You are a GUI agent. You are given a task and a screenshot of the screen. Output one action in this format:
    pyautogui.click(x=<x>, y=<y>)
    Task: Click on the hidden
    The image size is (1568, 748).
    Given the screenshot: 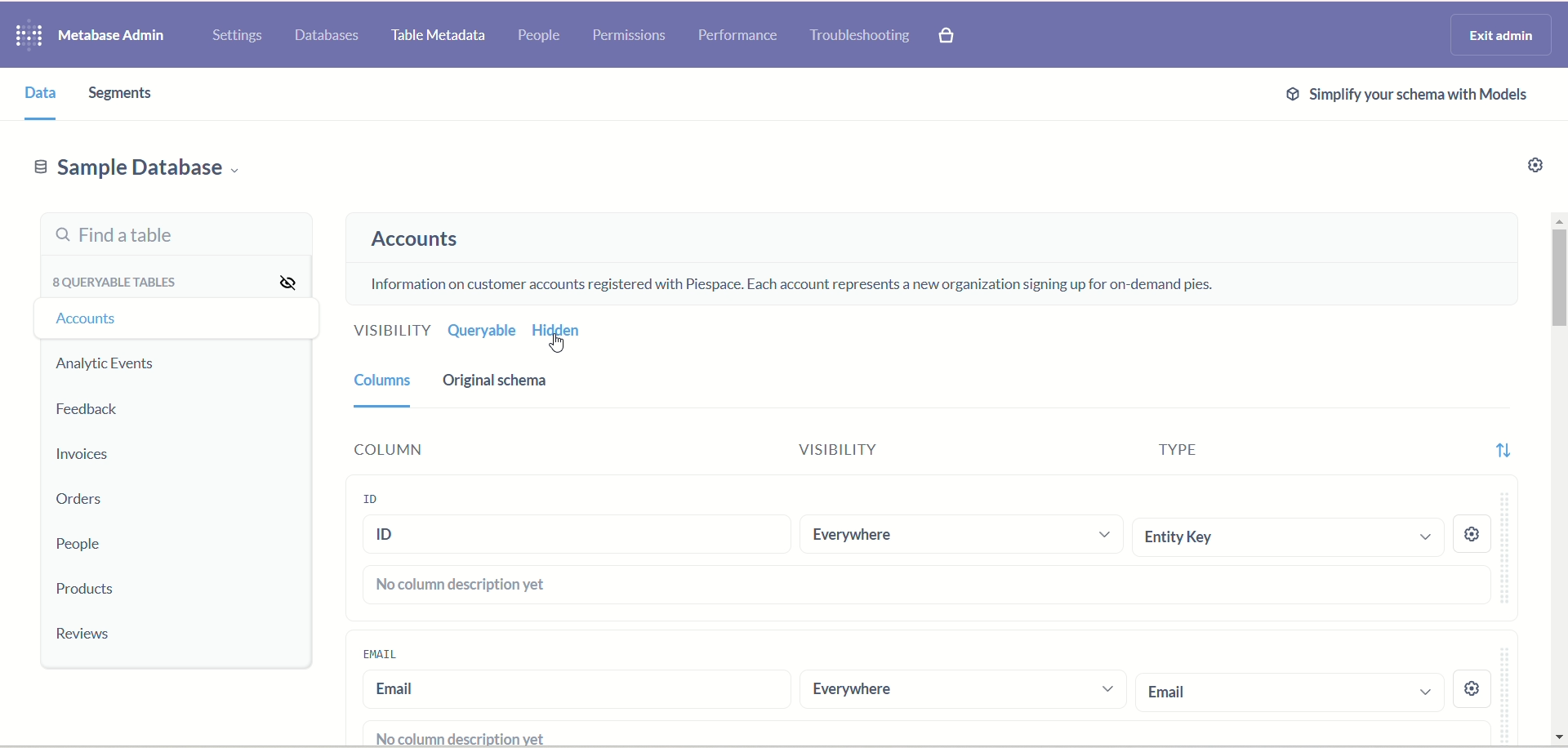 What is the action you would take?
    pyautogui.click(x=559, y=333)
    